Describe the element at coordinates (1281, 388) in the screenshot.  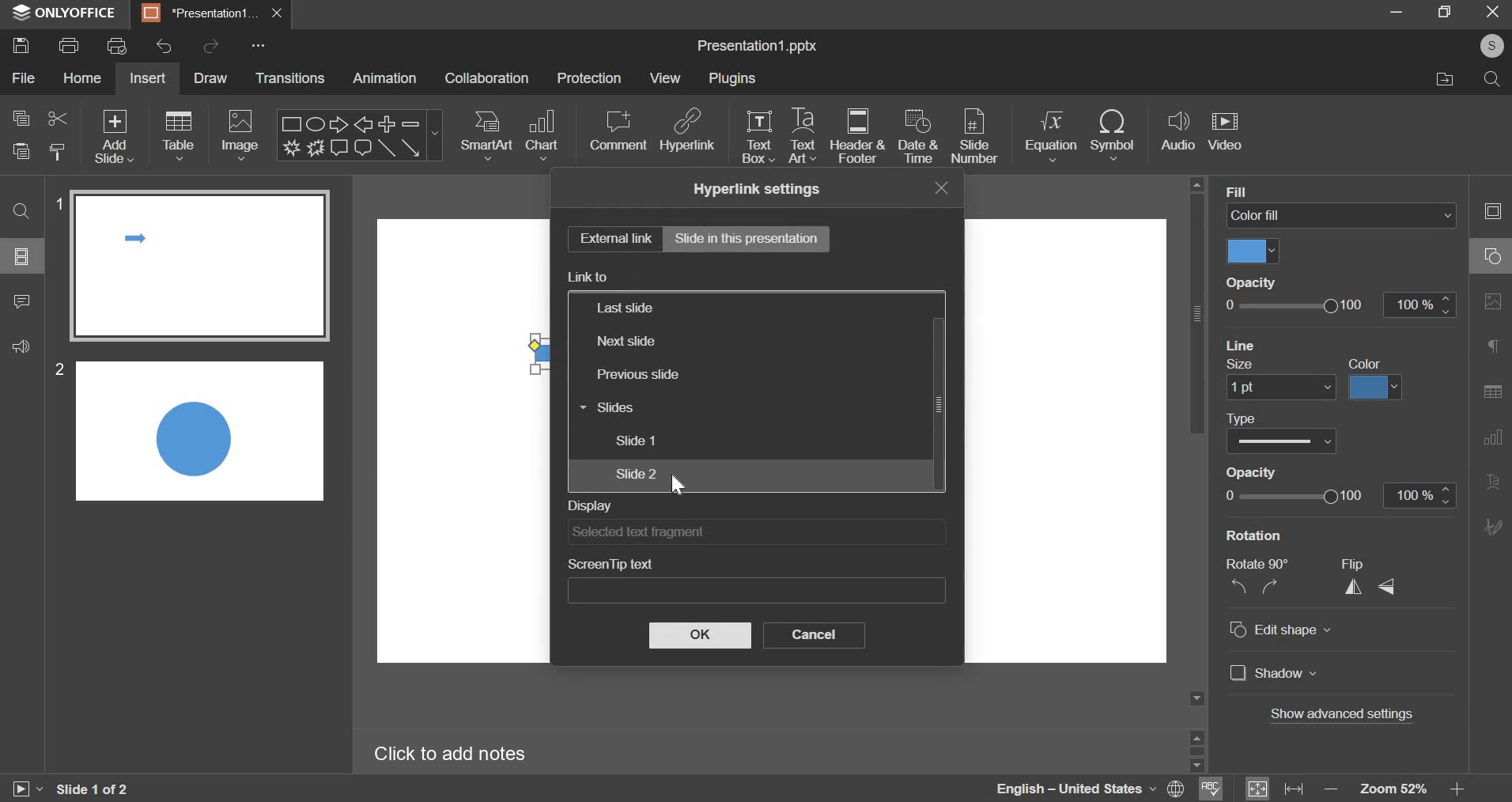
I see `set size` at that location.